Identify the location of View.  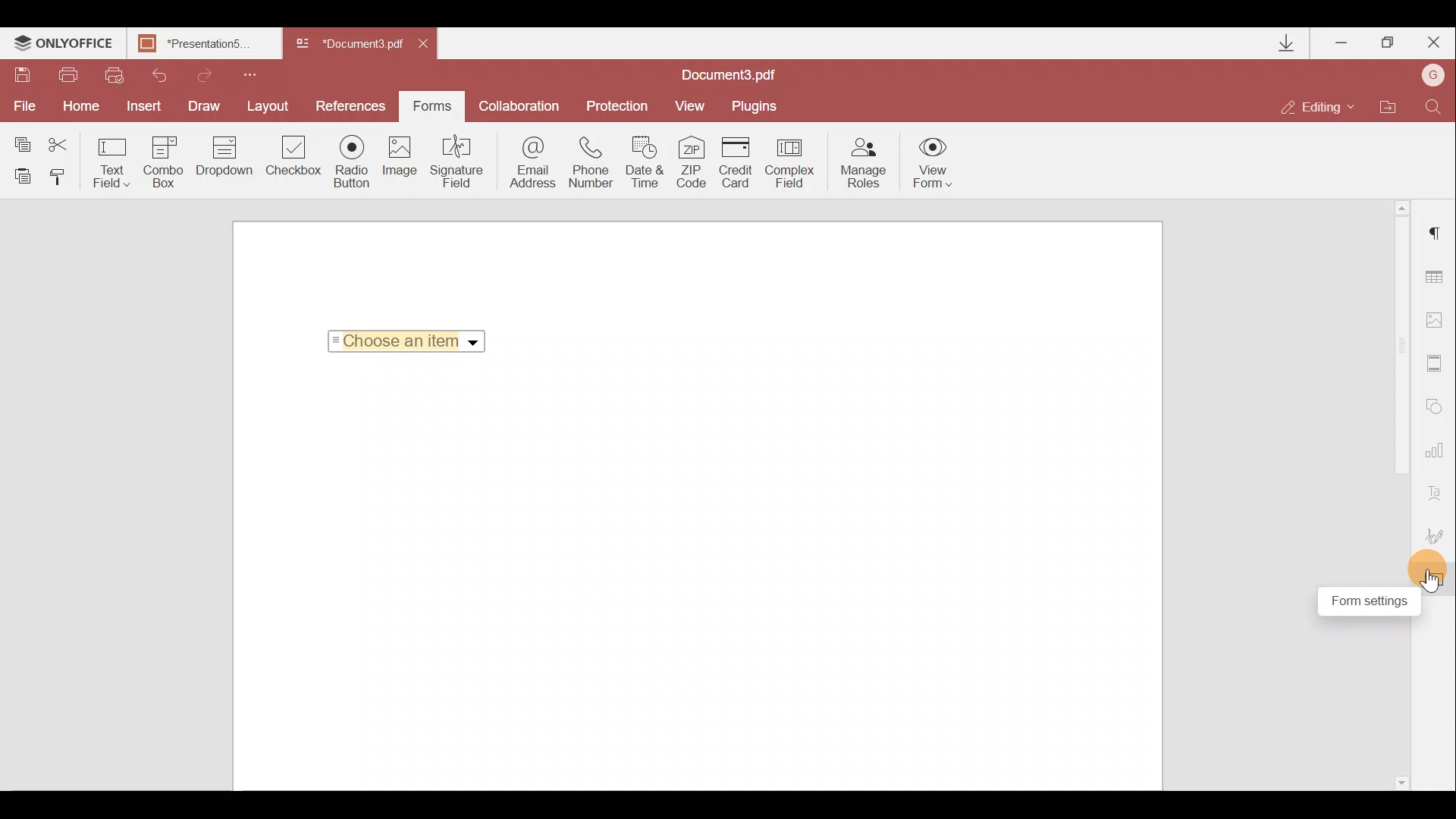
(690, 105).